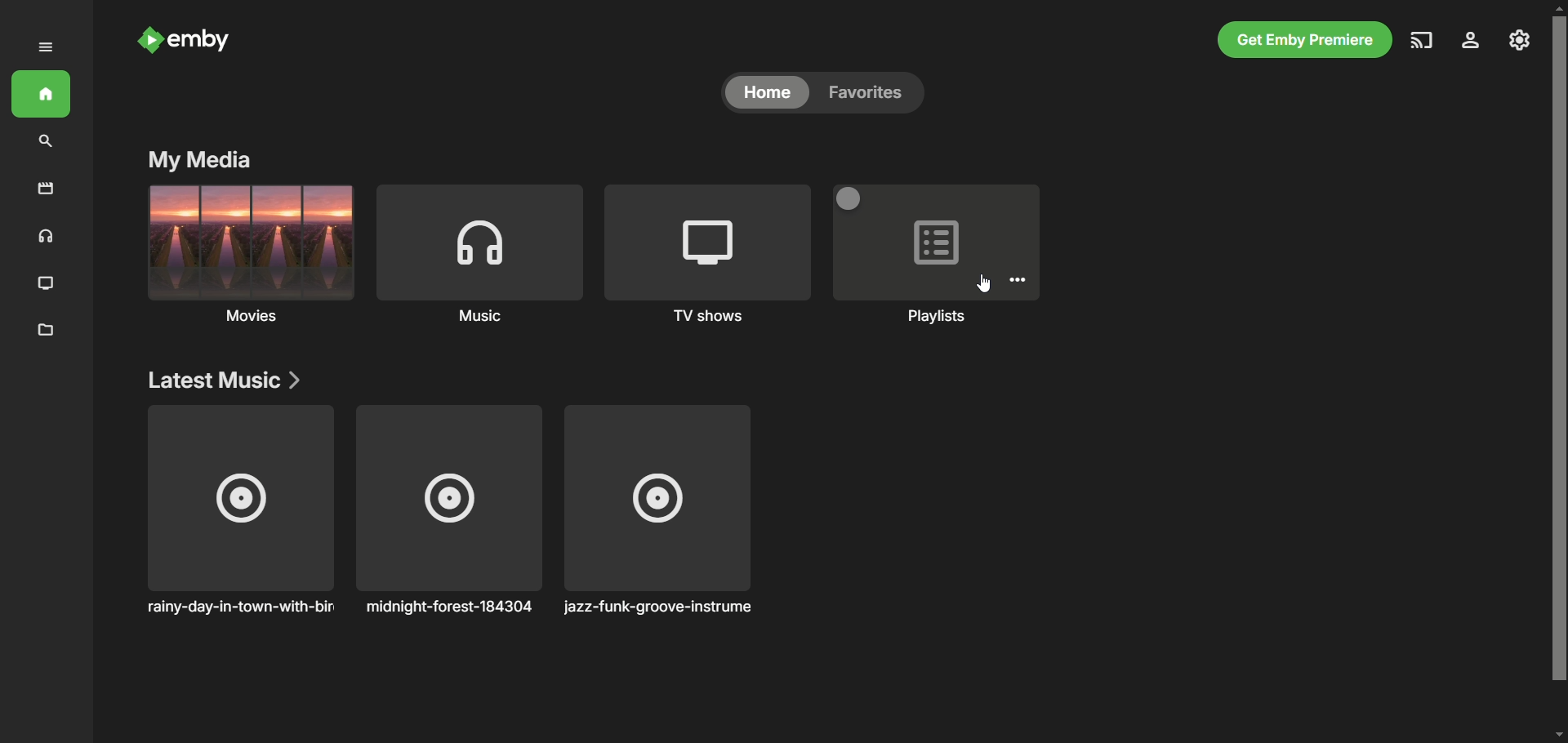 This screenshot has height=743, width=1568. What do you see at coordinates (657, 510) in the screenshot?
I see `music album` at bounding box center [657, 510].